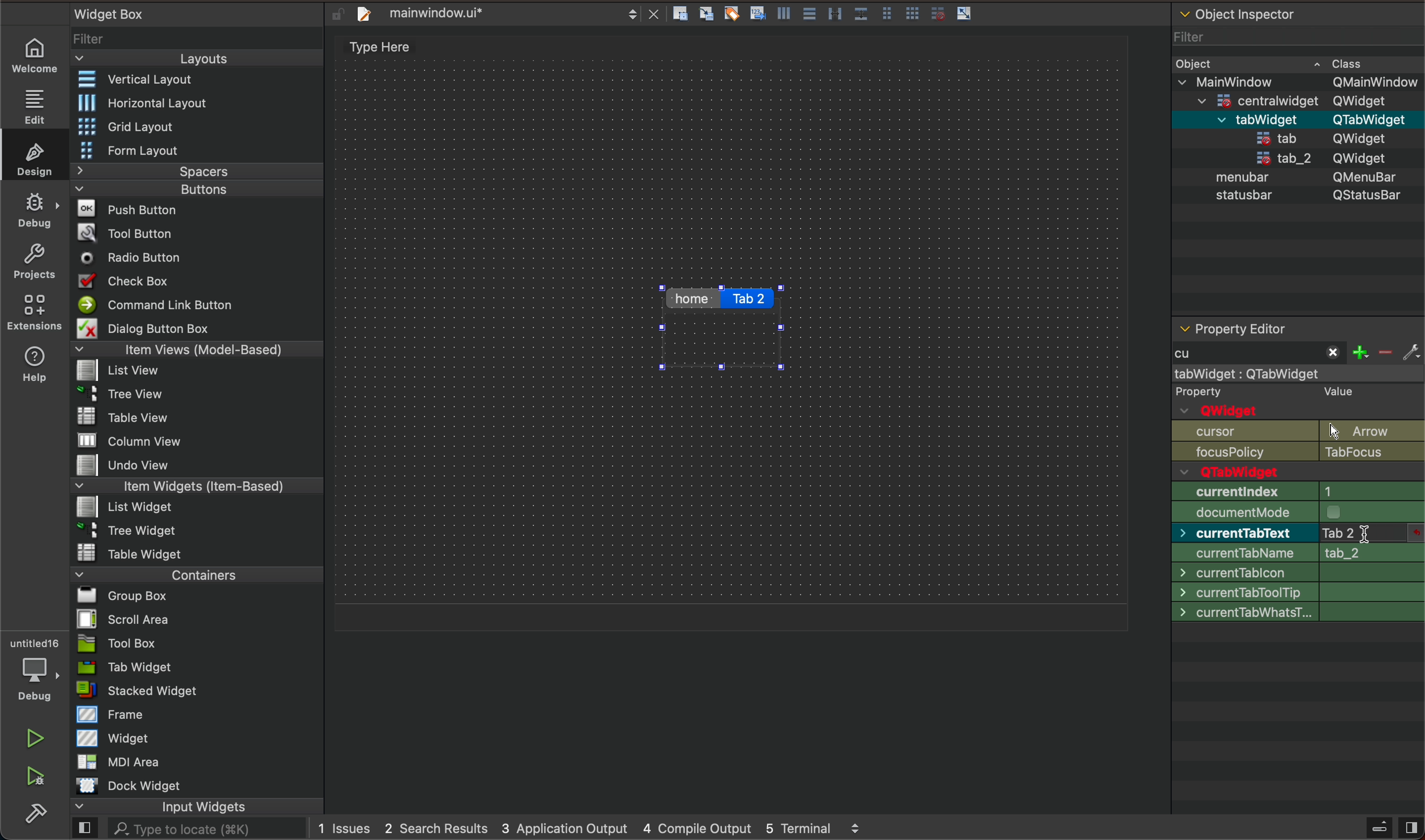  What do you see at coordinates (134, 641) in the screenshot?
I see `Tool Box` at bounding box center [134, 641].